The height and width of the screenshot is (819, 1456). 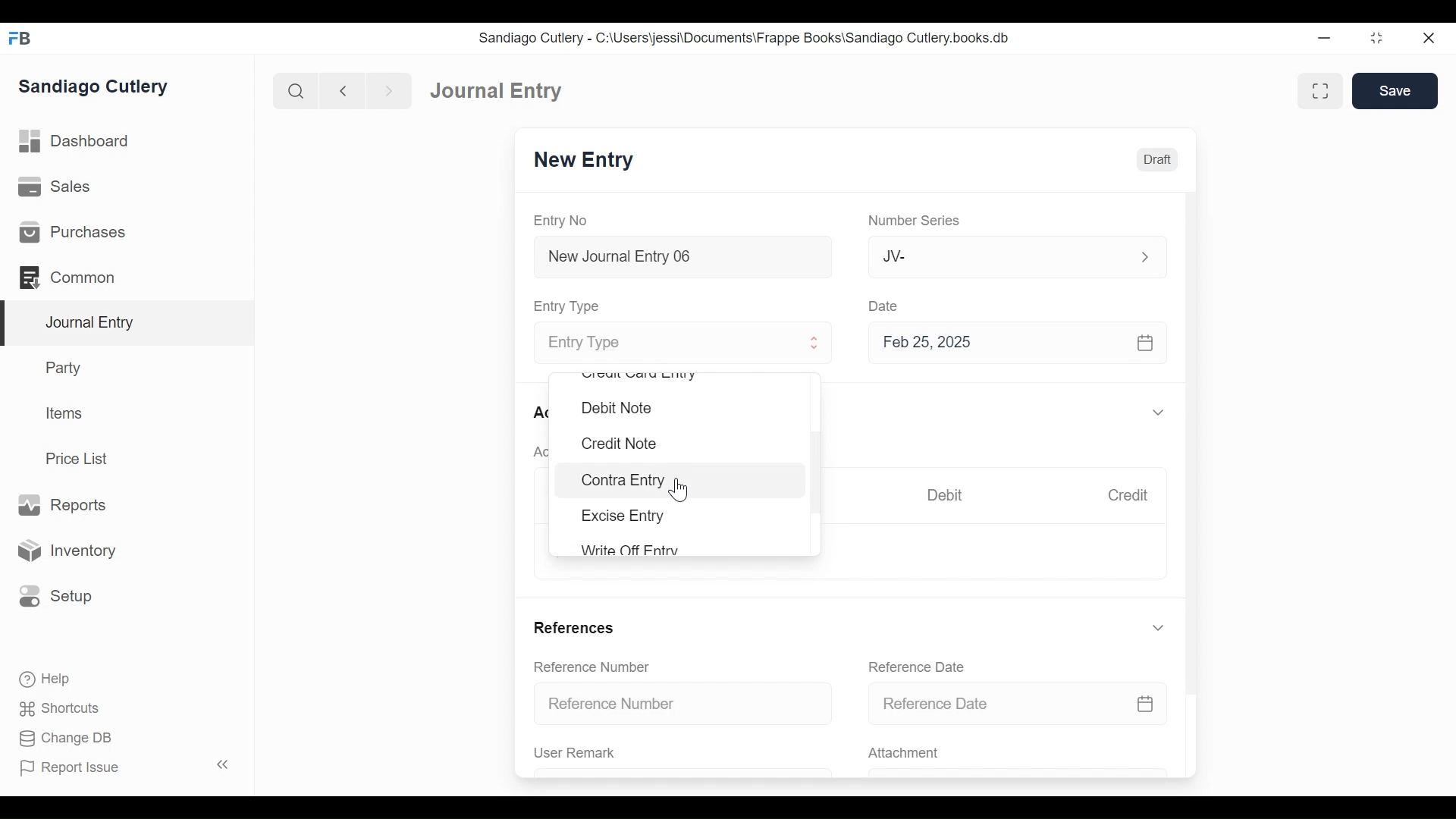 I want to click on Reference Number, so click(x=591, y=666).